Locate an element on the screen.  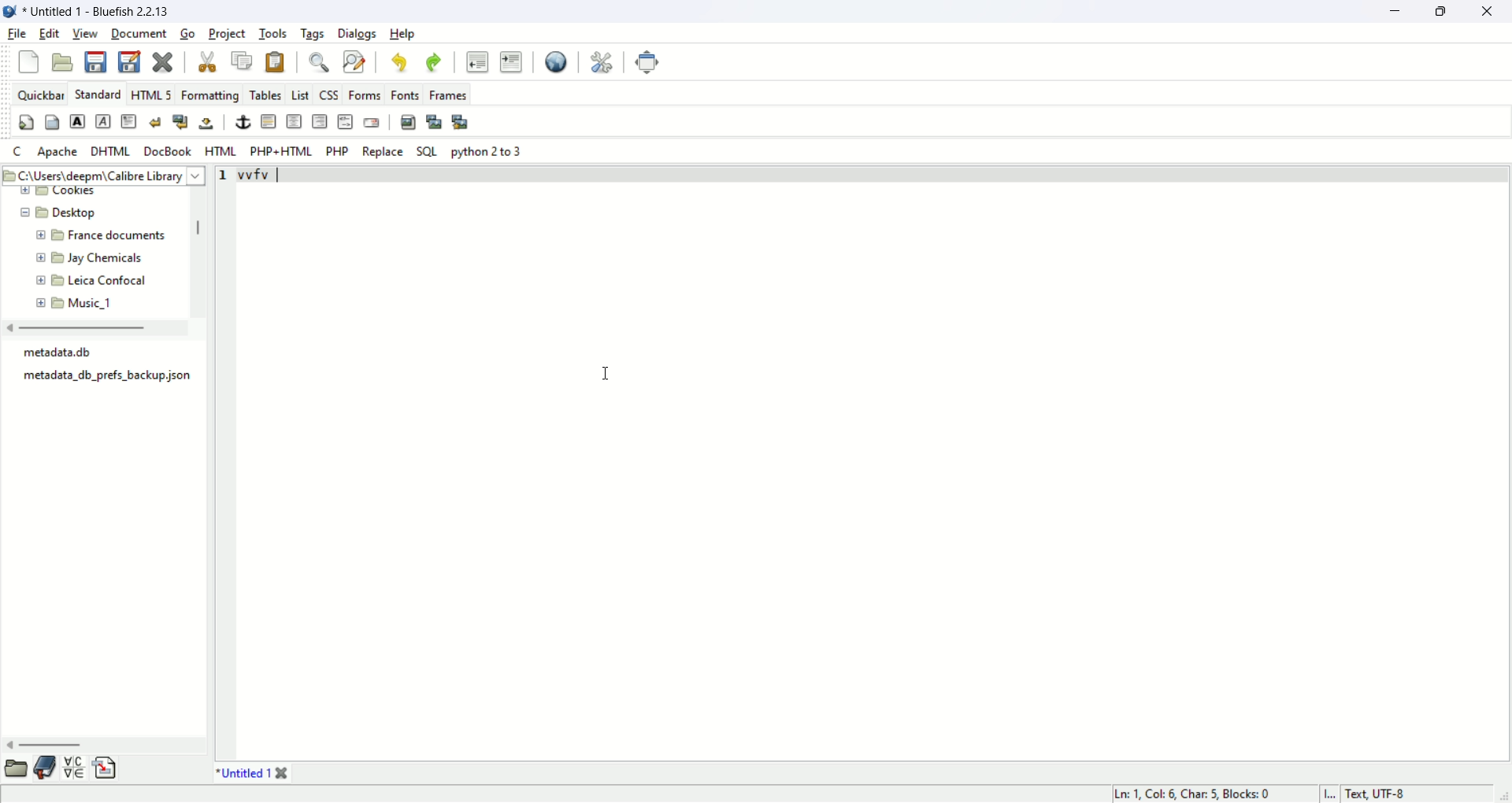
mouse cursor is located at coordinates (606, 376).